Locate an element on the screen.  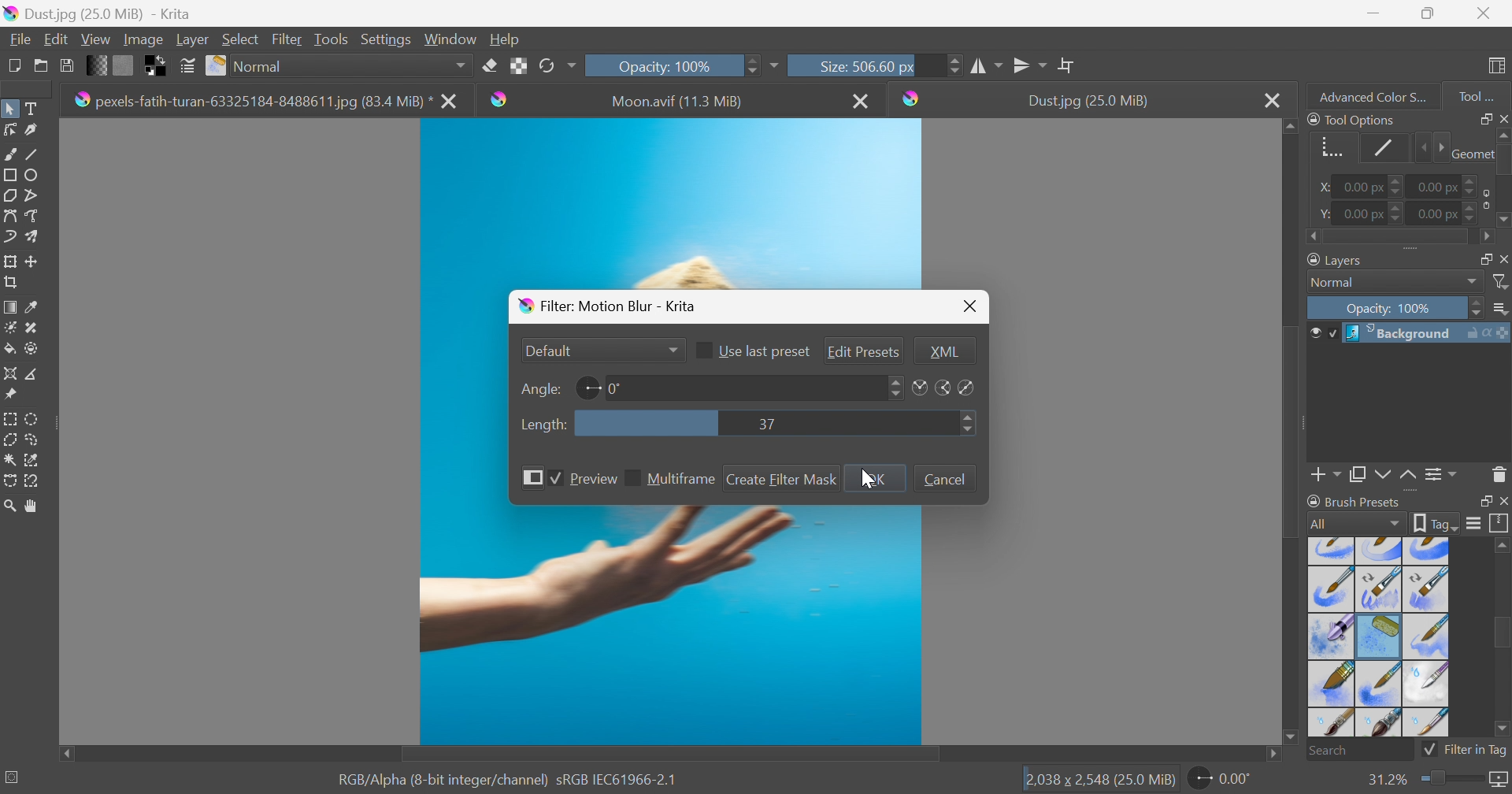
Storage resources is located at coordinates (1499, 524).